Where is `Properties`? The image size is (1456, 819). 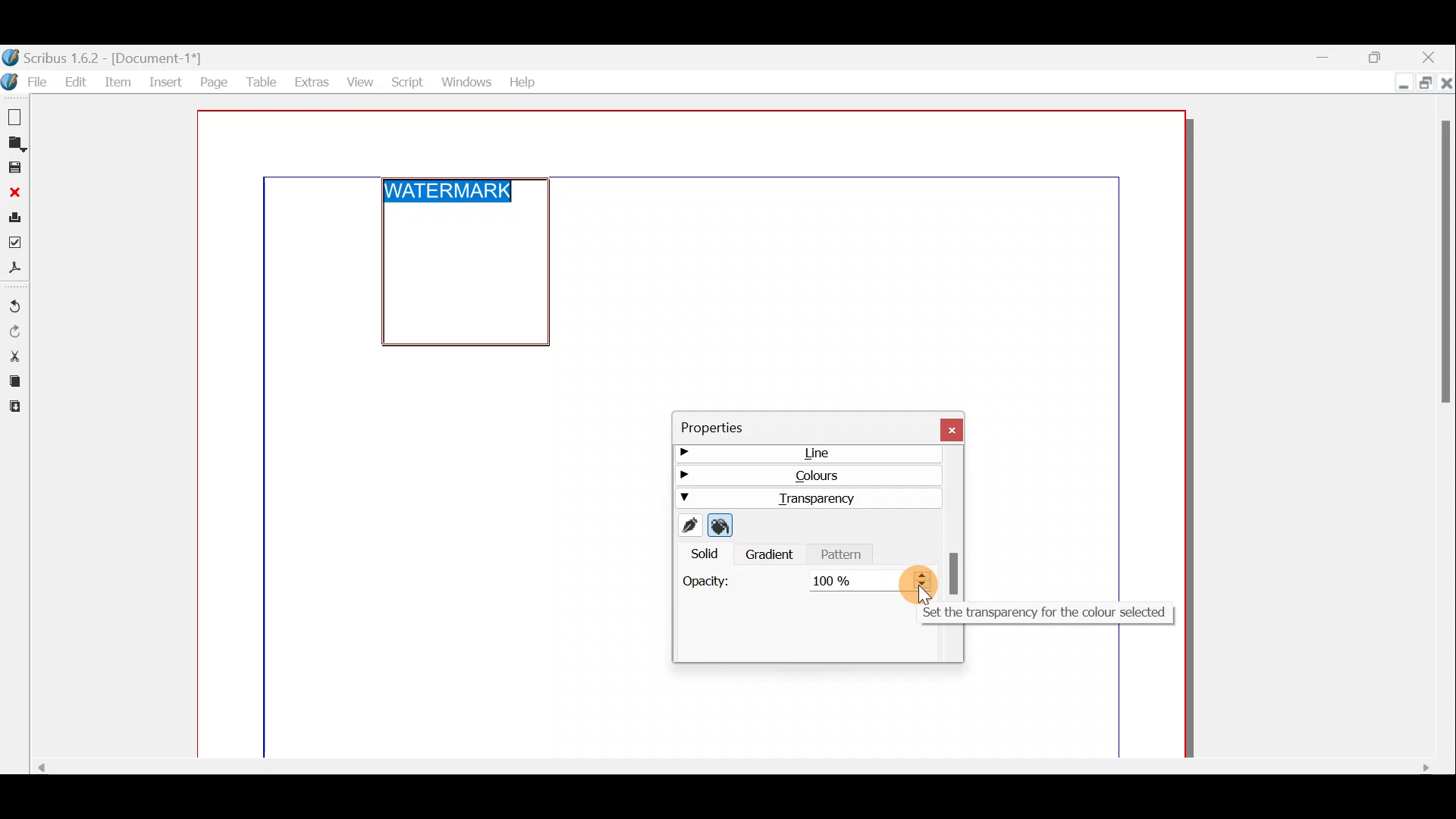 Properties is located at coordinates (795, 426).